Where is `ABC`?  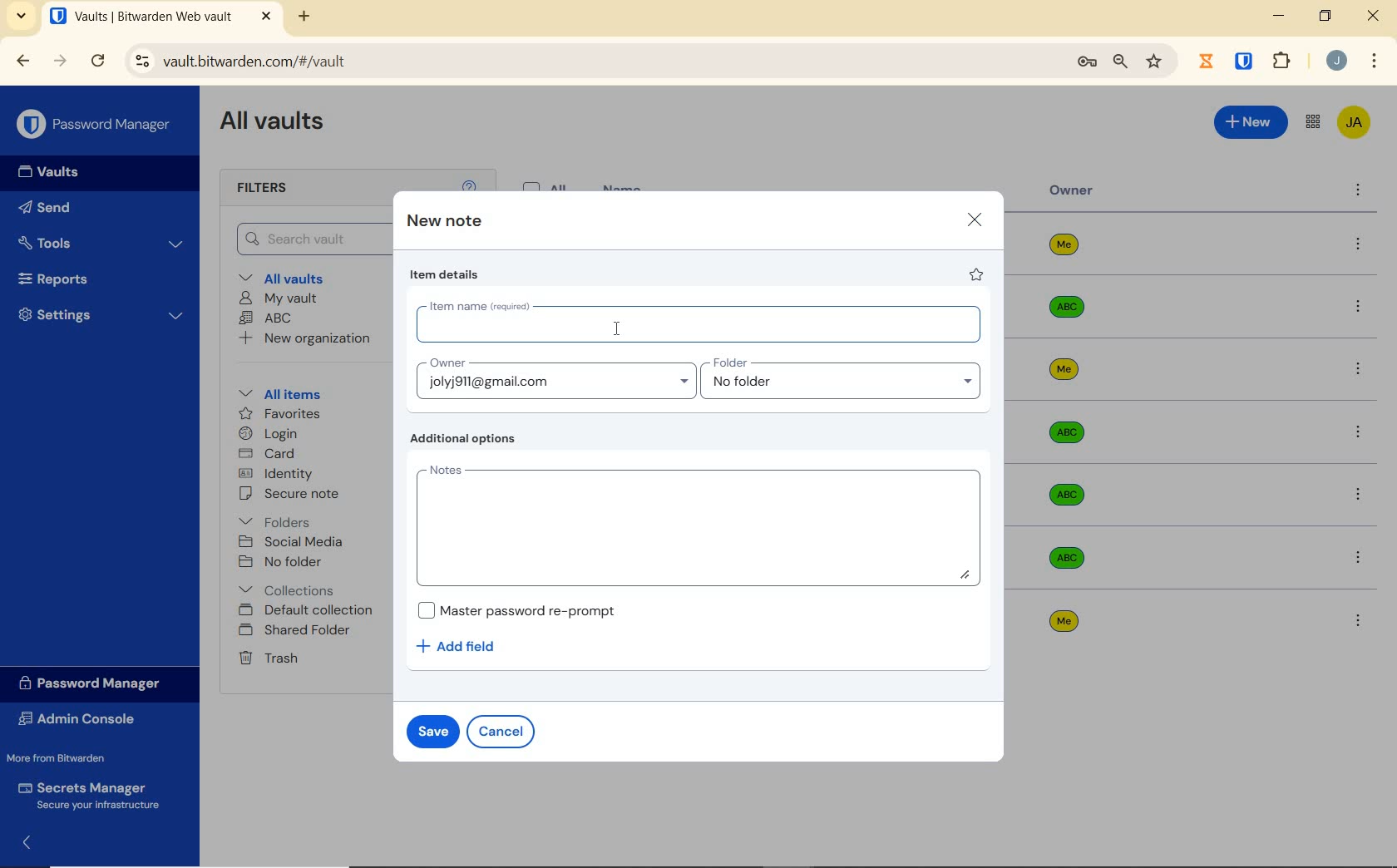 ABC is located at coordinates (269, 319).